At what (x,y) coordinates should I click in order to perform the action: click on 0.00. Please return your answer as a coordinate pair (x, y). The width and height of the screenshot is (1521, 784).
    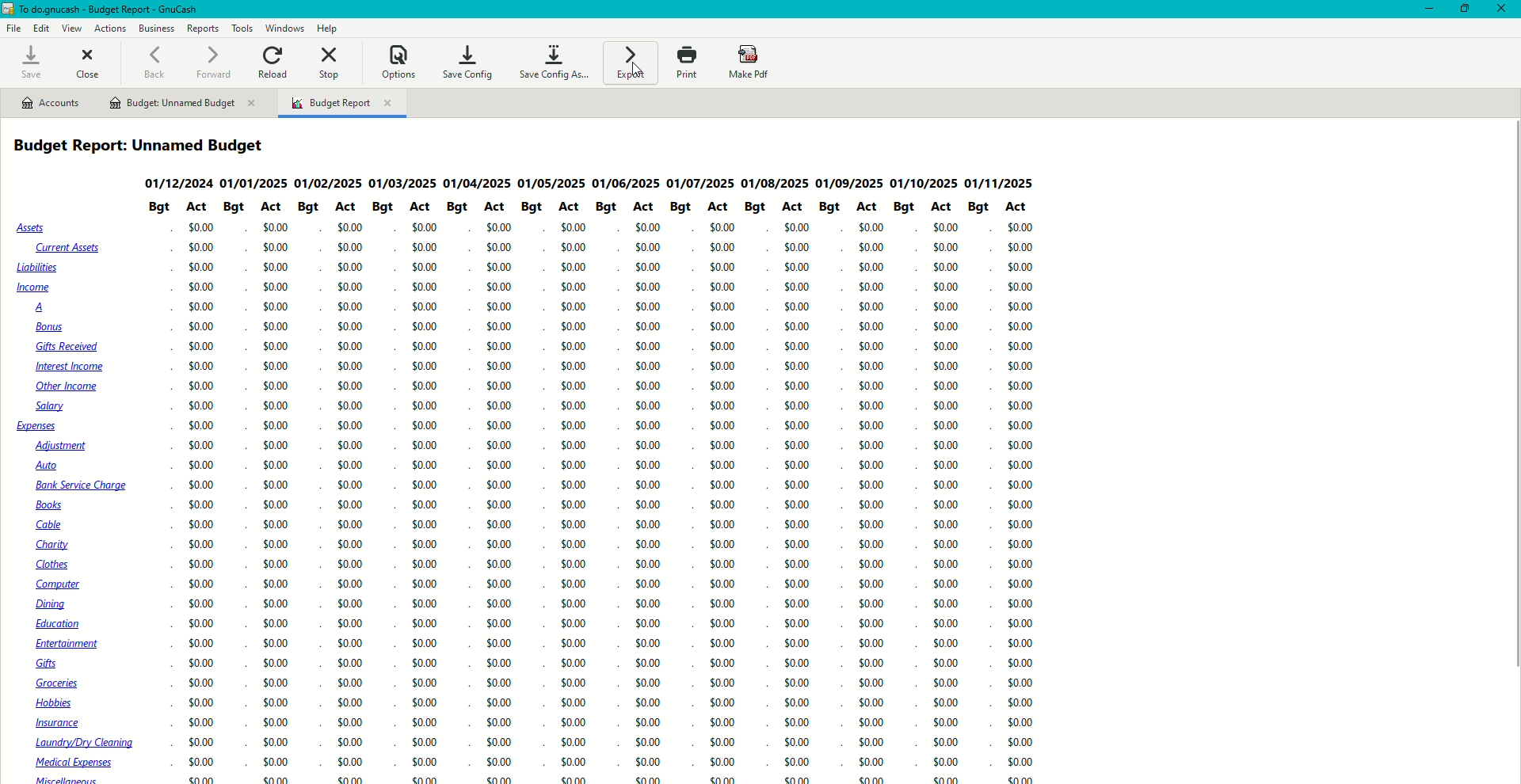
    Looking at the image, I should click on (204, 447).